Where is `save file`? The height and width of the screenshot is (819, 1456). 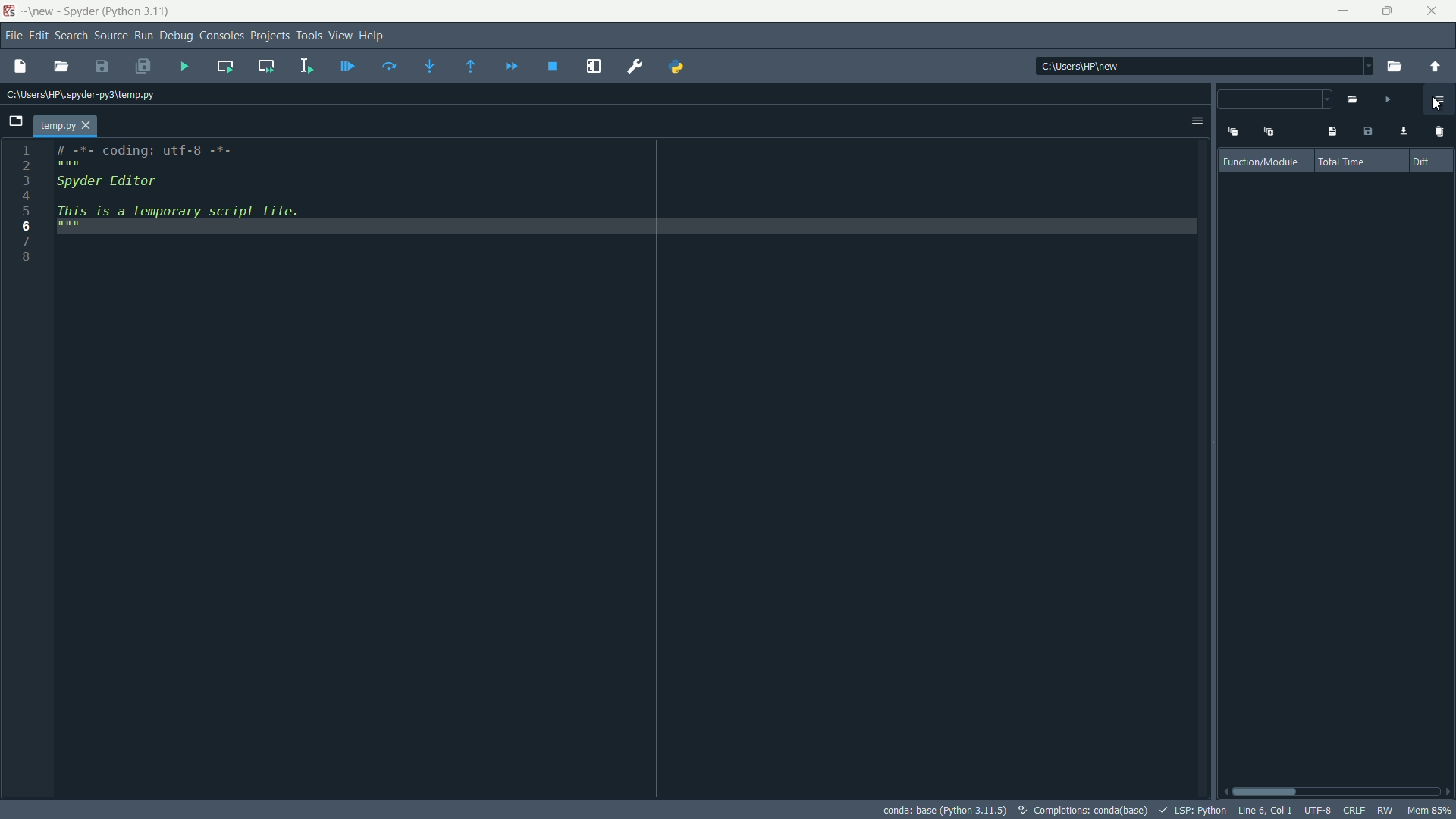
save file is located at coordinates (103, 67).